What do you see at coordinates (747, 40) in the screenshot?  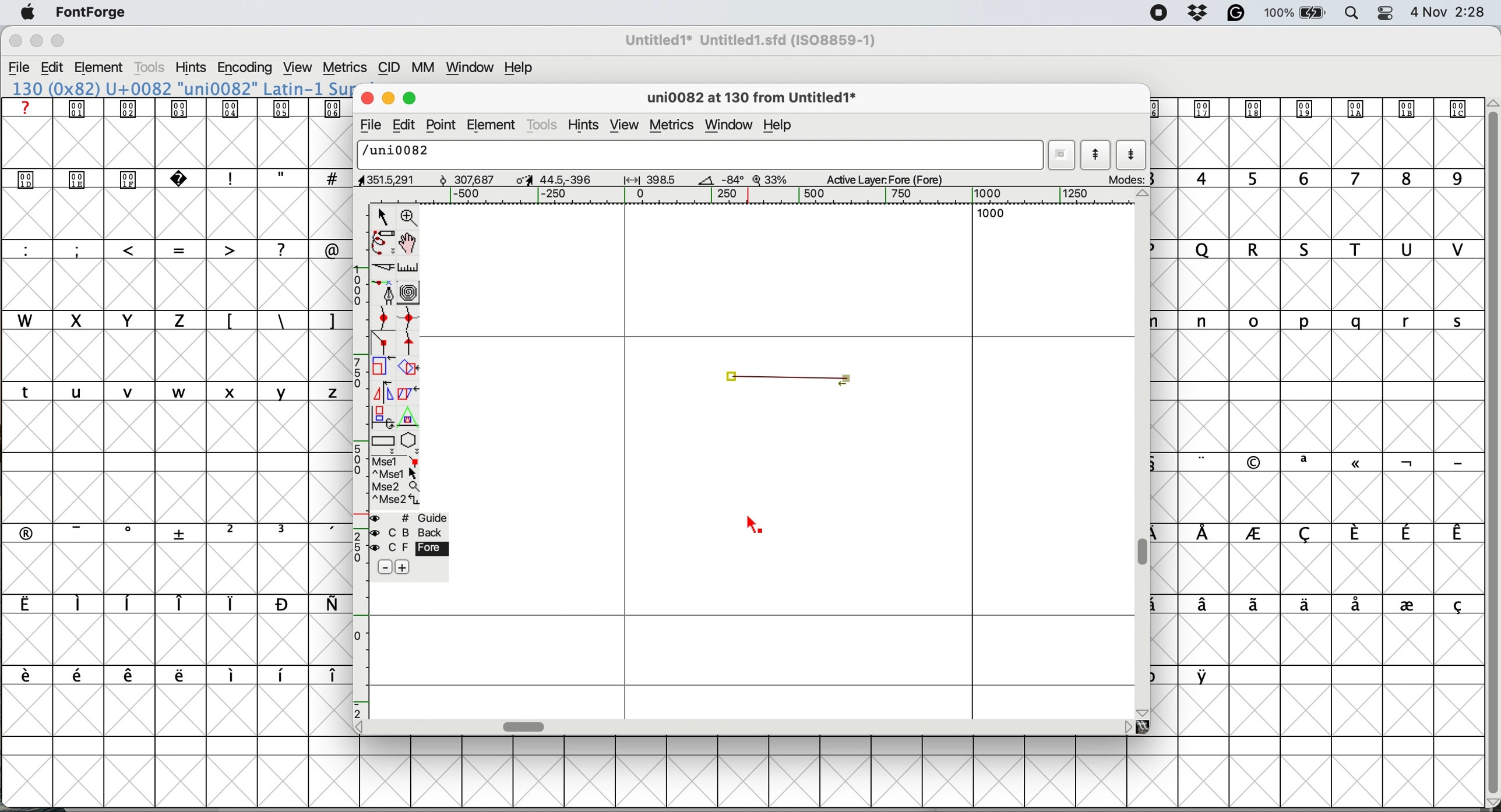 I see `File name` at bounding box center [747, 40].